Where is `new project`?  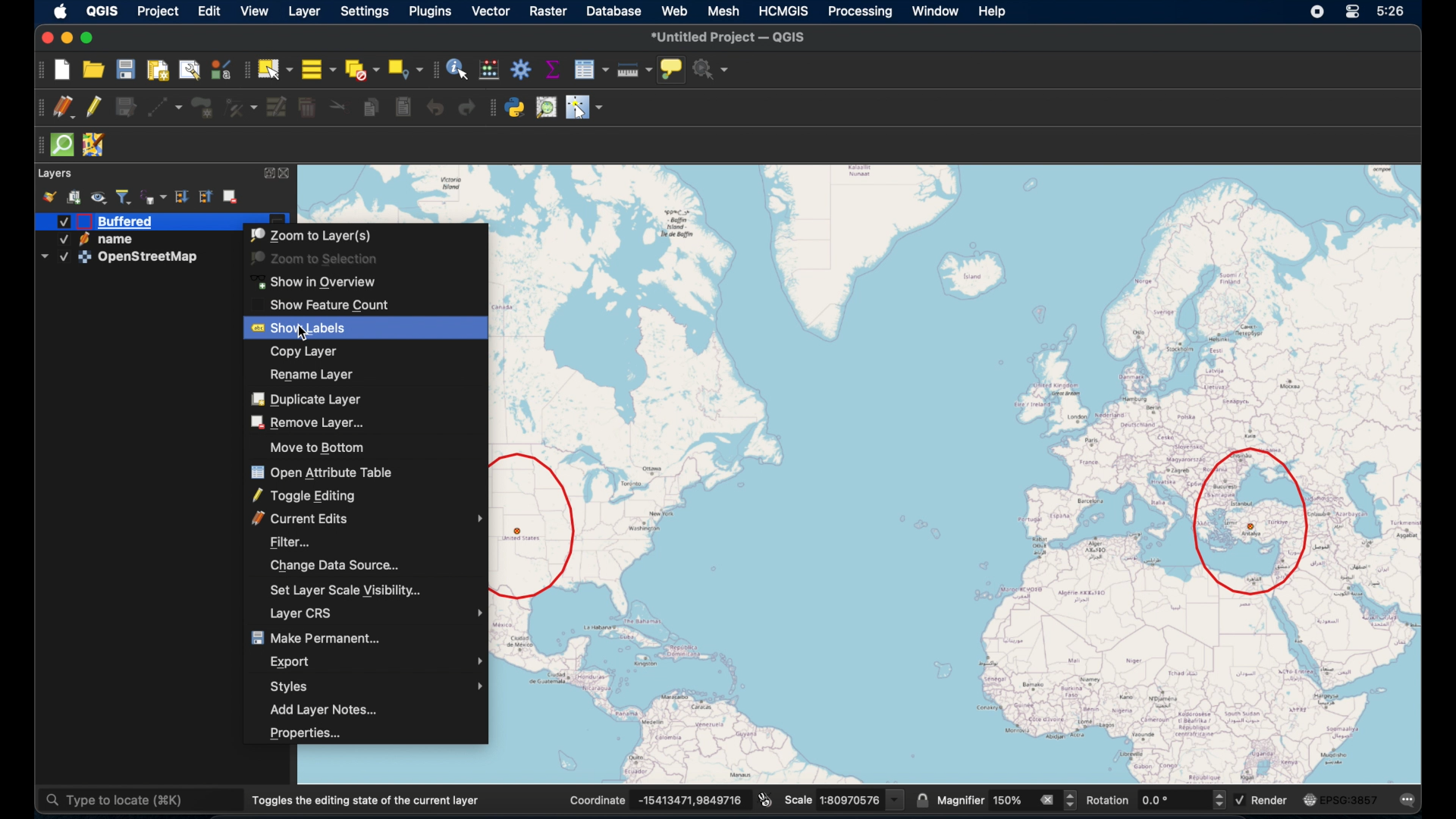 new project is located at coordinates (61, 69).